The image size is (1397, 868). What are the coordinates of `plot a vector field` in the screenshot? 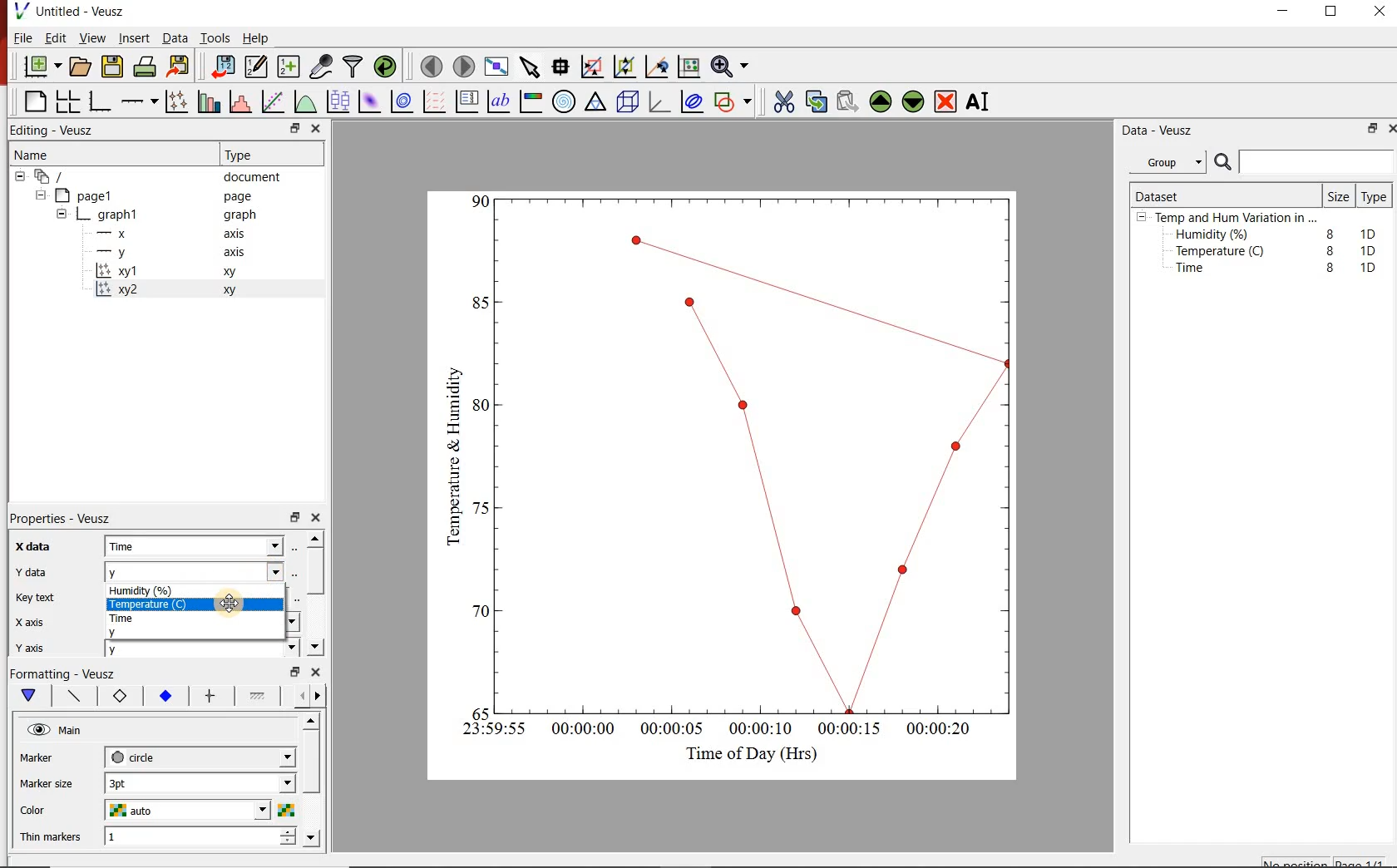 It's located at (435, 101).